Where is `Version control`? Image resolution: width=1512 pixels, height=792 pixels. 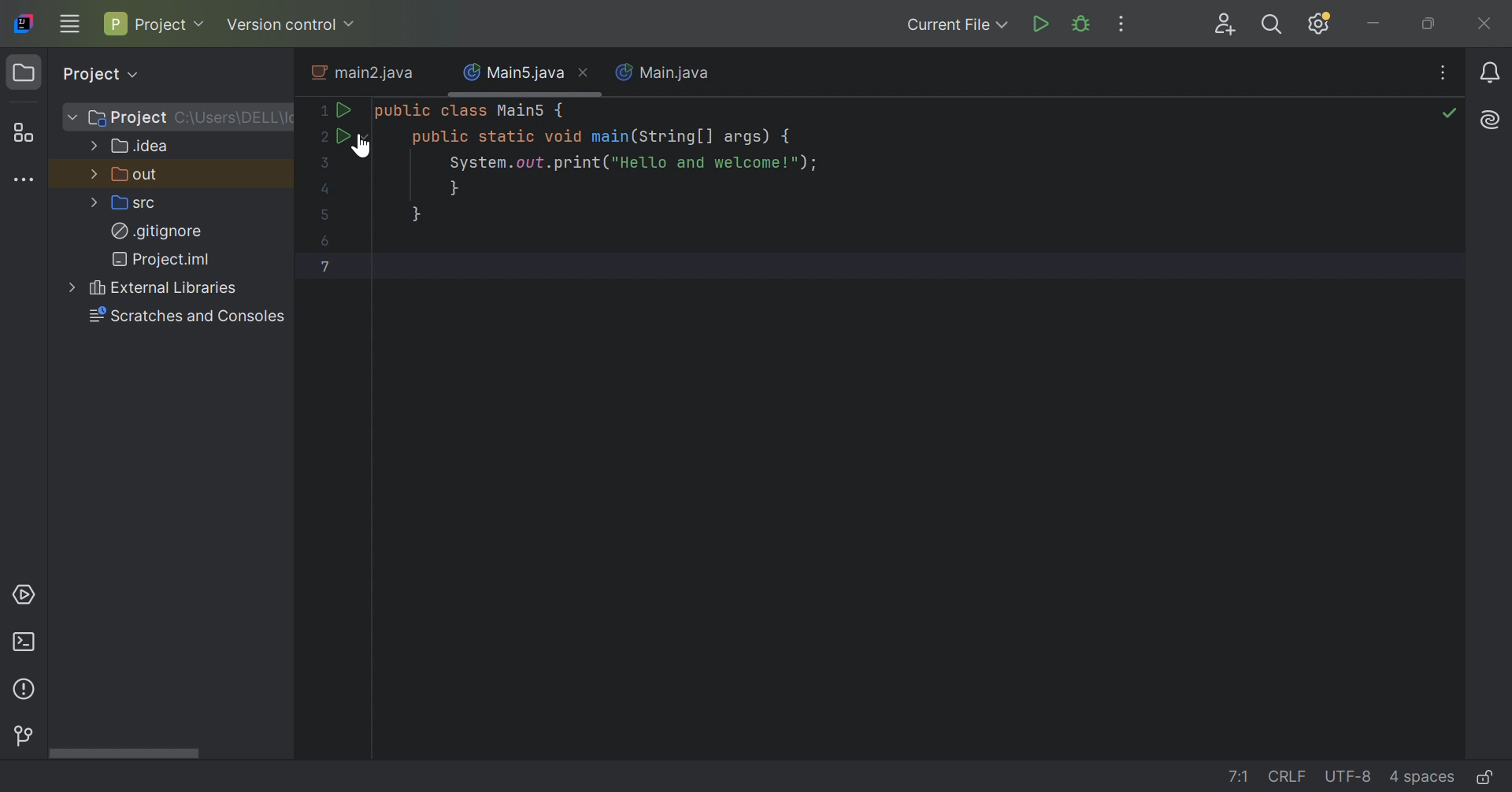 Version control is located at coordinates (22, 735).